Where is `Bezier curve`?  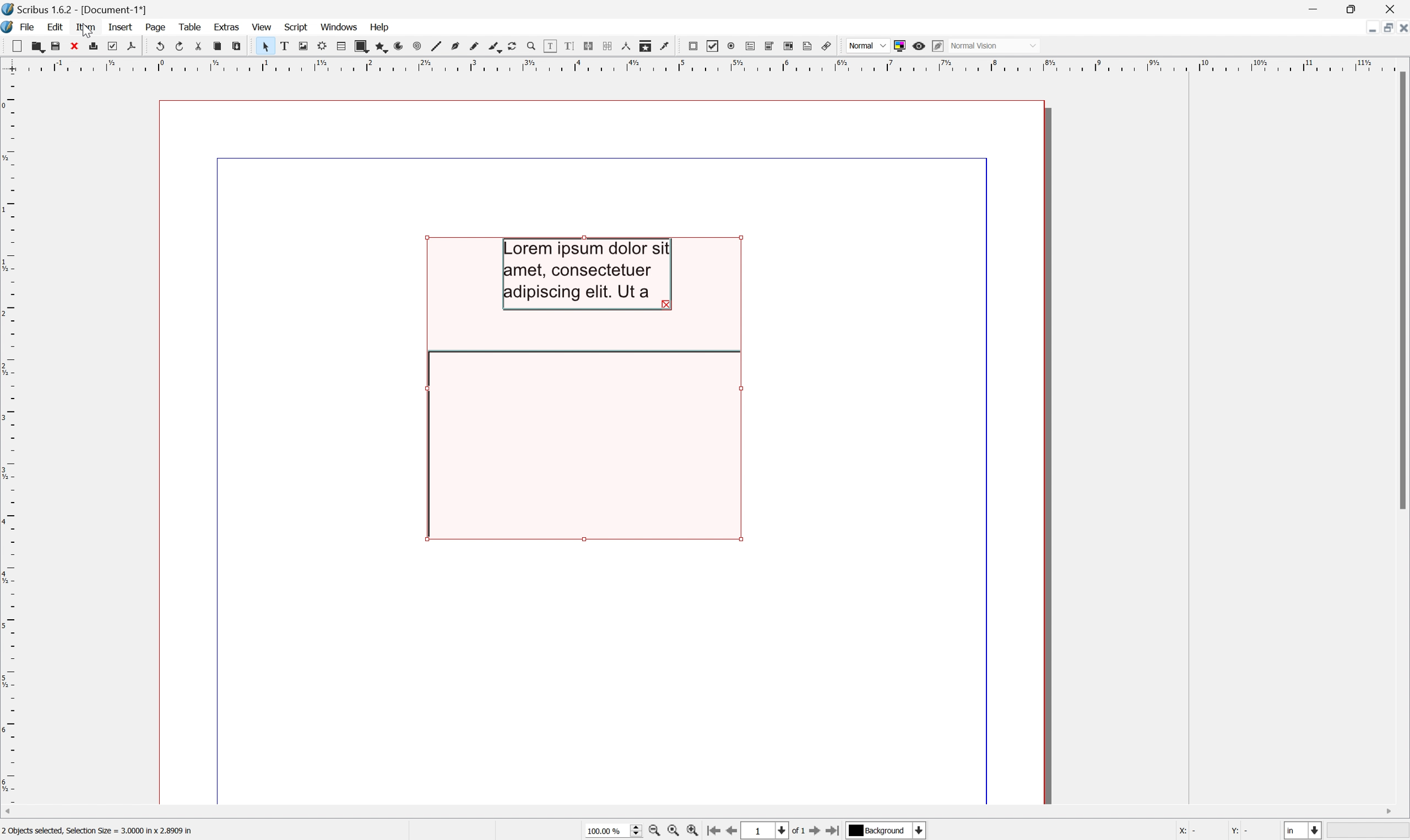 Bezier curve is located at coordinates (452, 48).